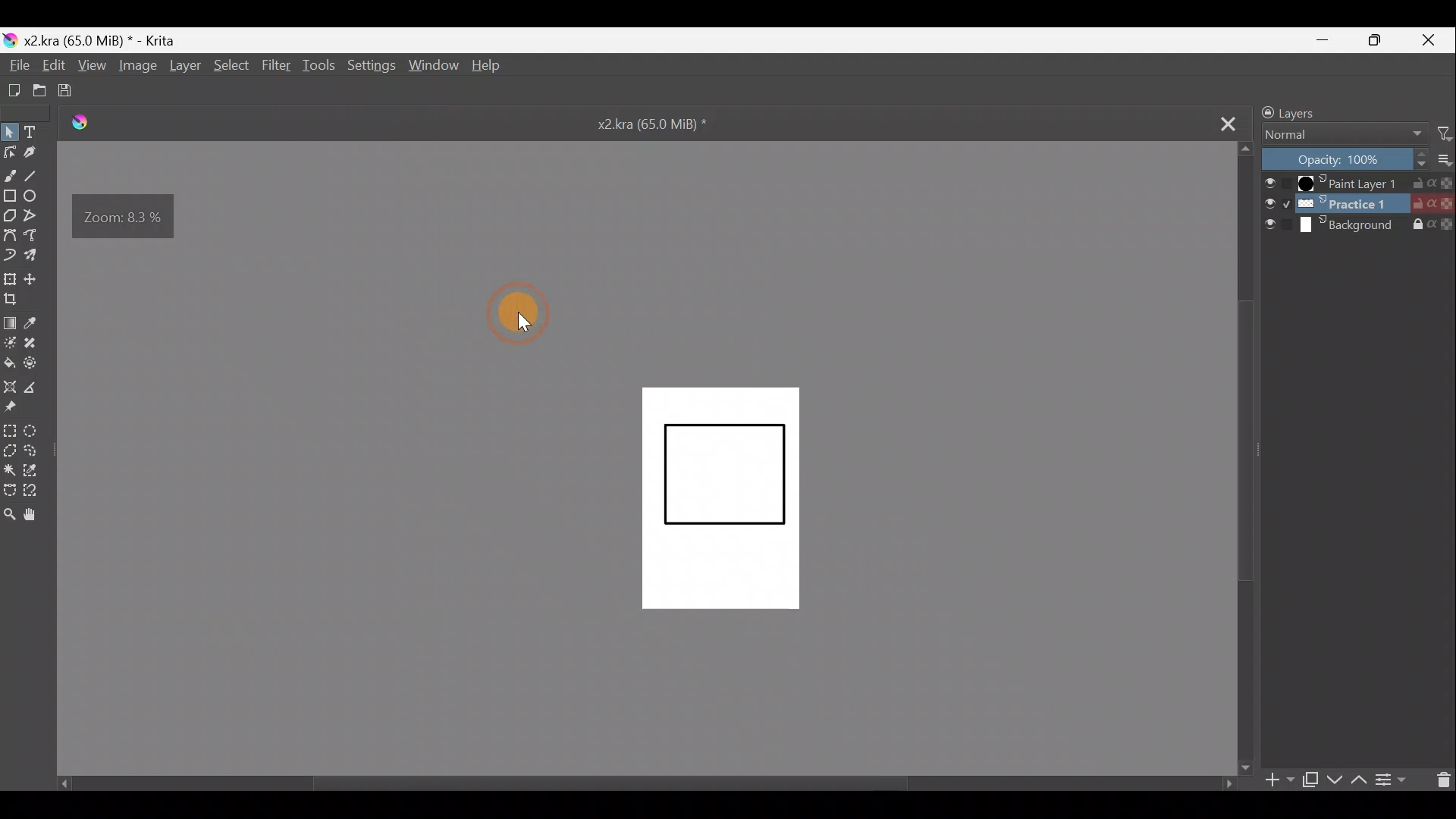  What do you see at coordinates (12, 255) in the screenshot?
I see `Dynamic brush tool` at bounding box center [12, 255].